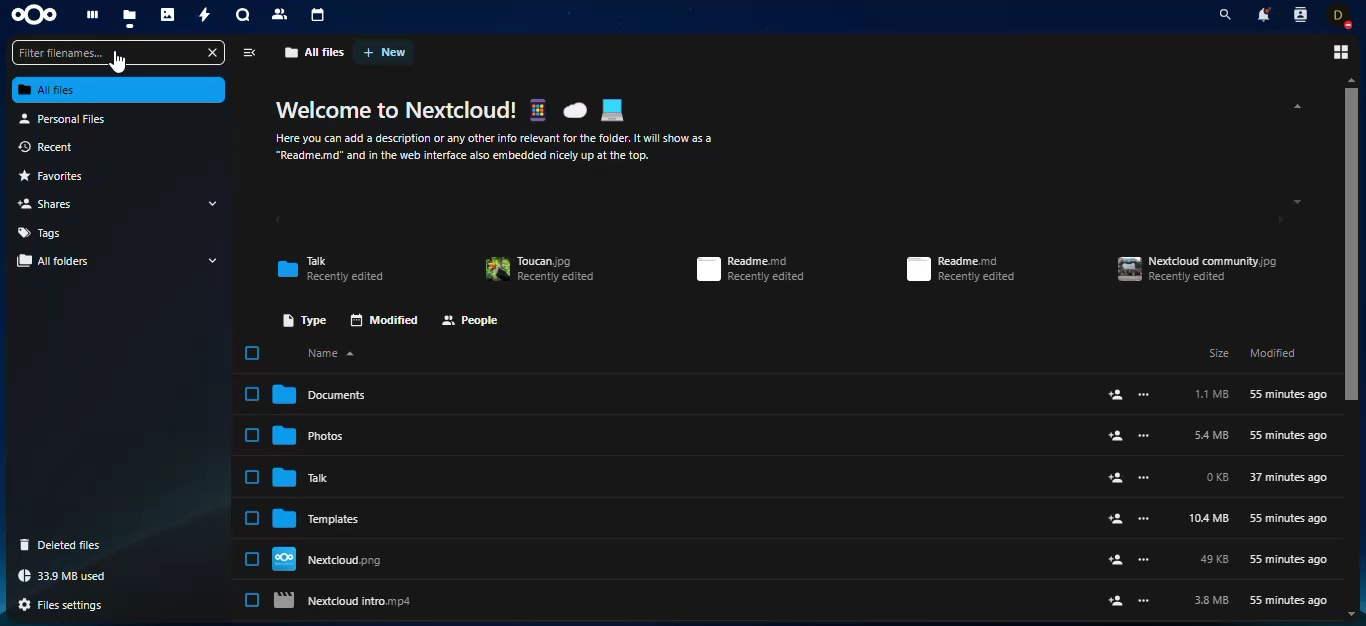  What do you see at coordinates (1263, 560) in the screenshot?
I see `49KB 55 minutes ago` at bounding box center [1263, 560].